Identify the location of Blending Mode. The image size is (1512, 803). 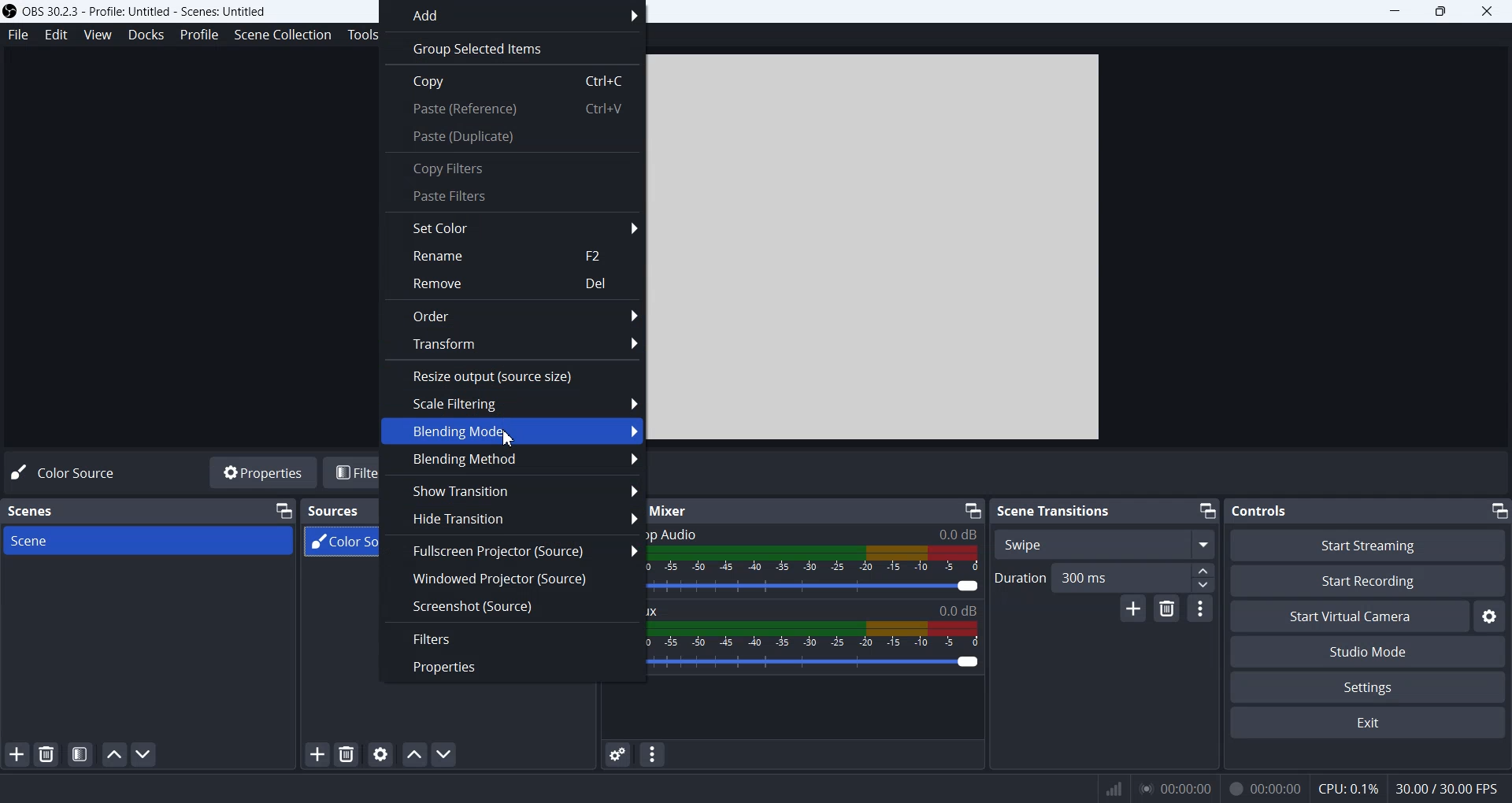
(510, 431).